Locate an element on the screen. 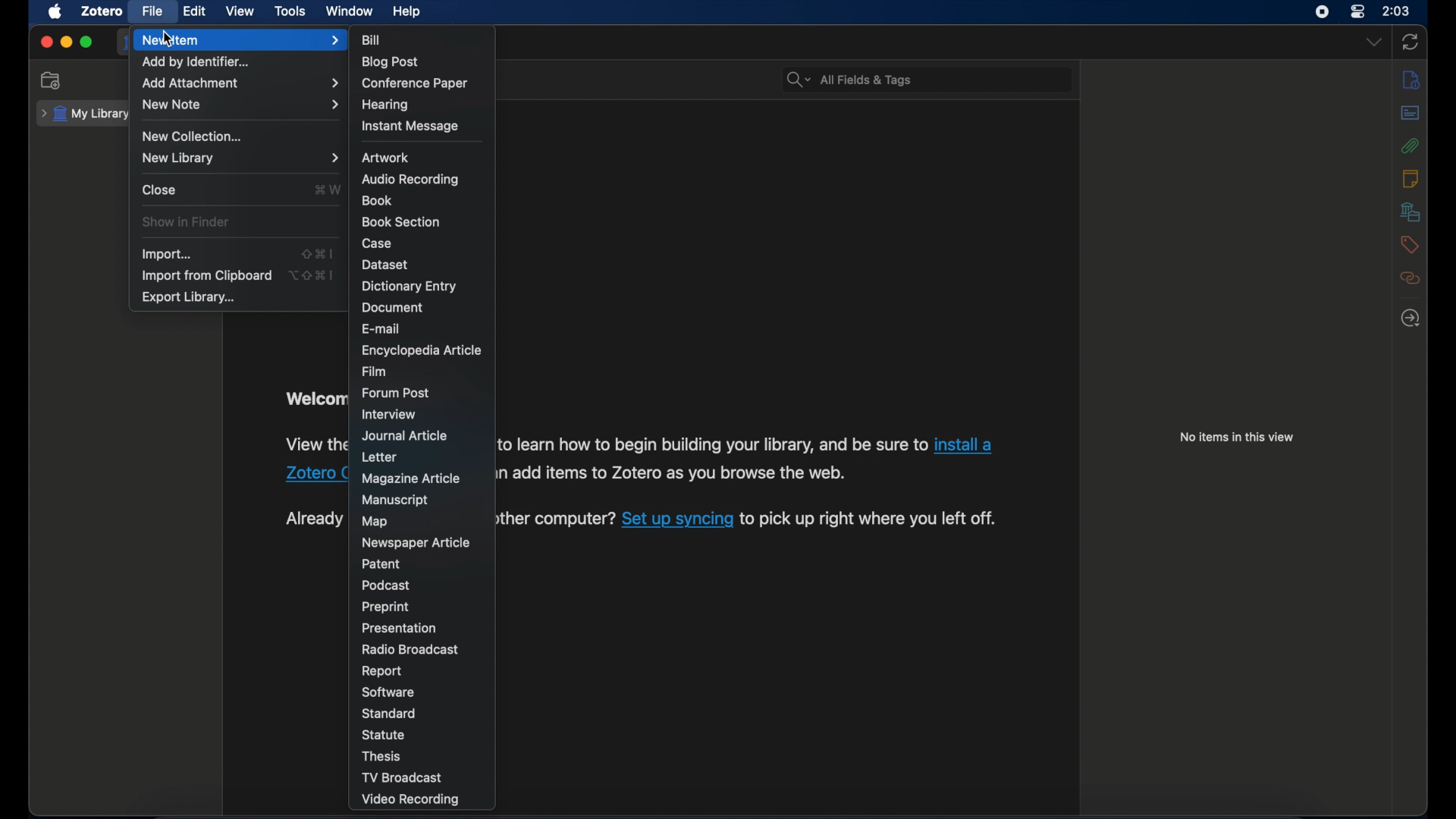 The height and width of the screenshot is (819, 1456). new collection is located at coordinates (193, 136).